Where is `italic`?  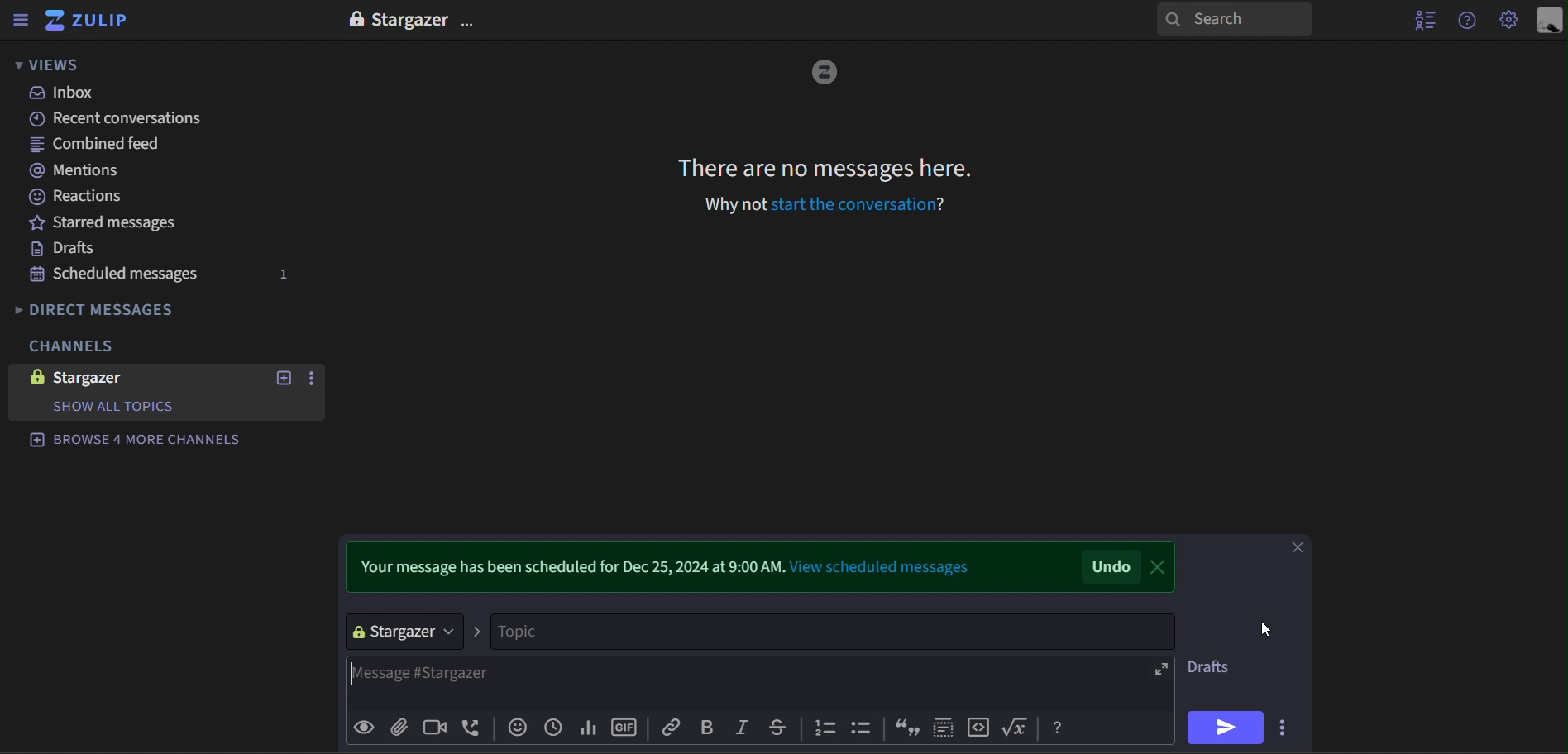 italic is located at coordinates (743, 727).